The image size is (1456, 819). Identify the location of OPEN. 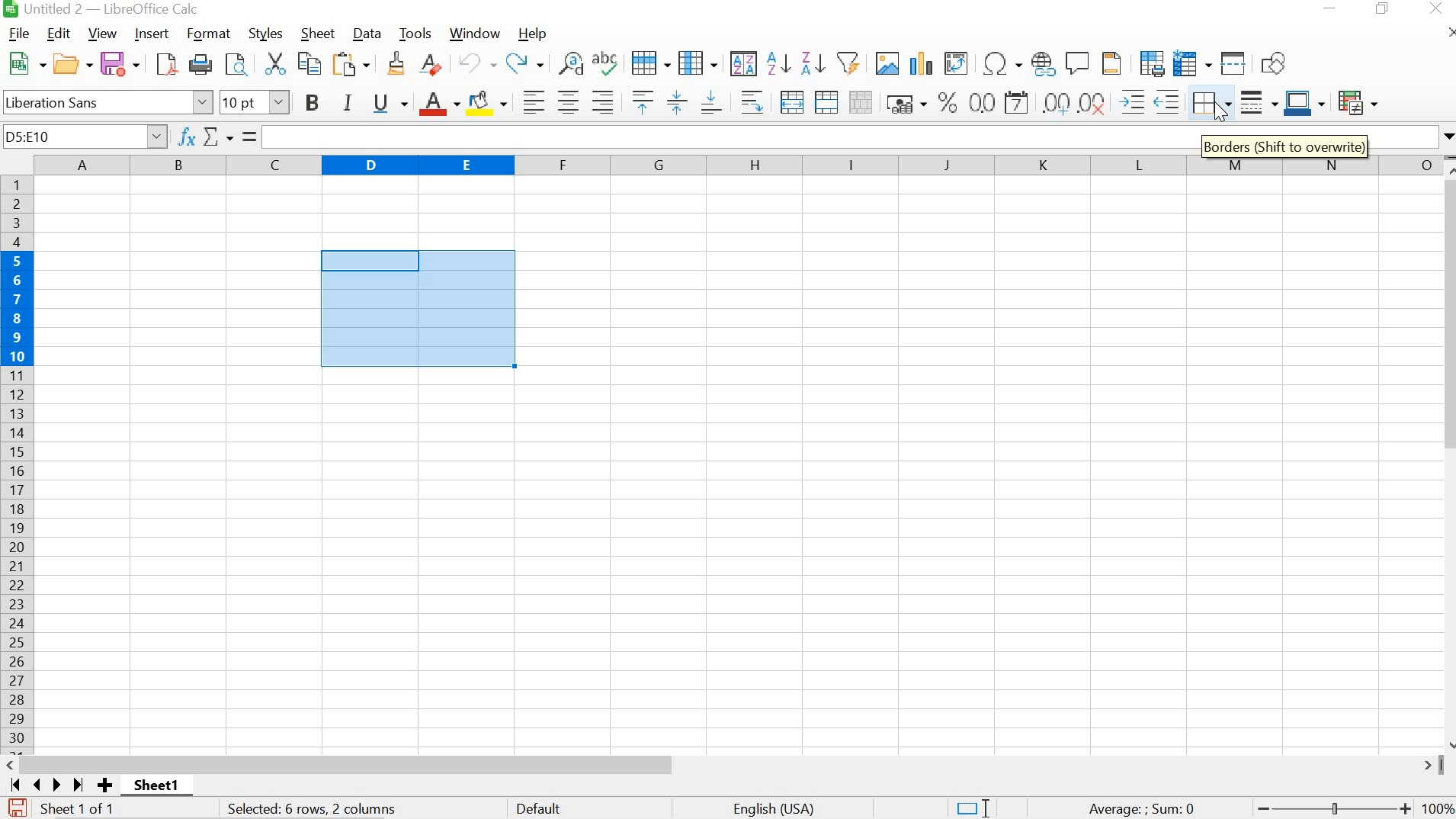
(72, 64).